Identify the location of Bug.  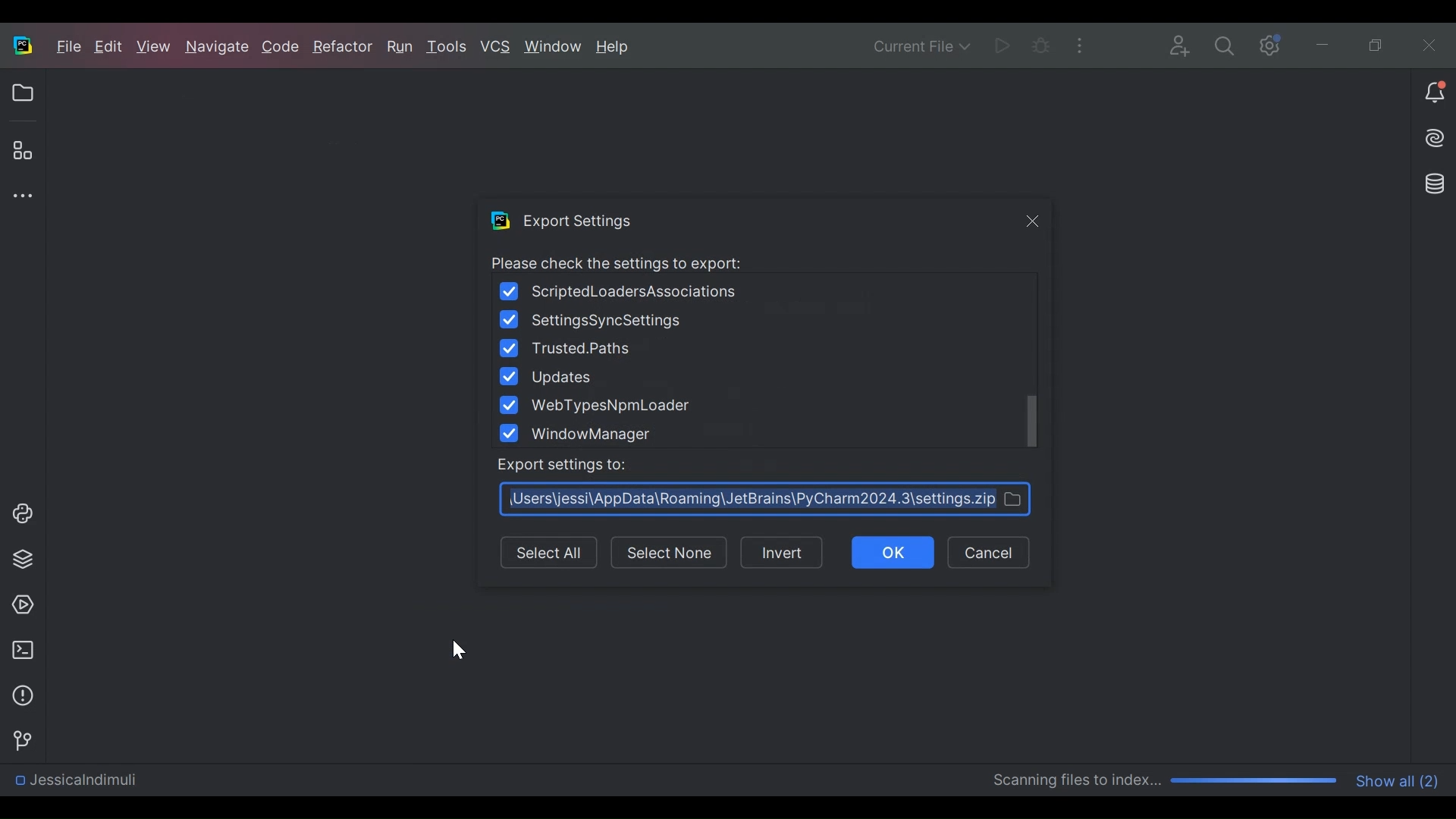
(1040, 44).